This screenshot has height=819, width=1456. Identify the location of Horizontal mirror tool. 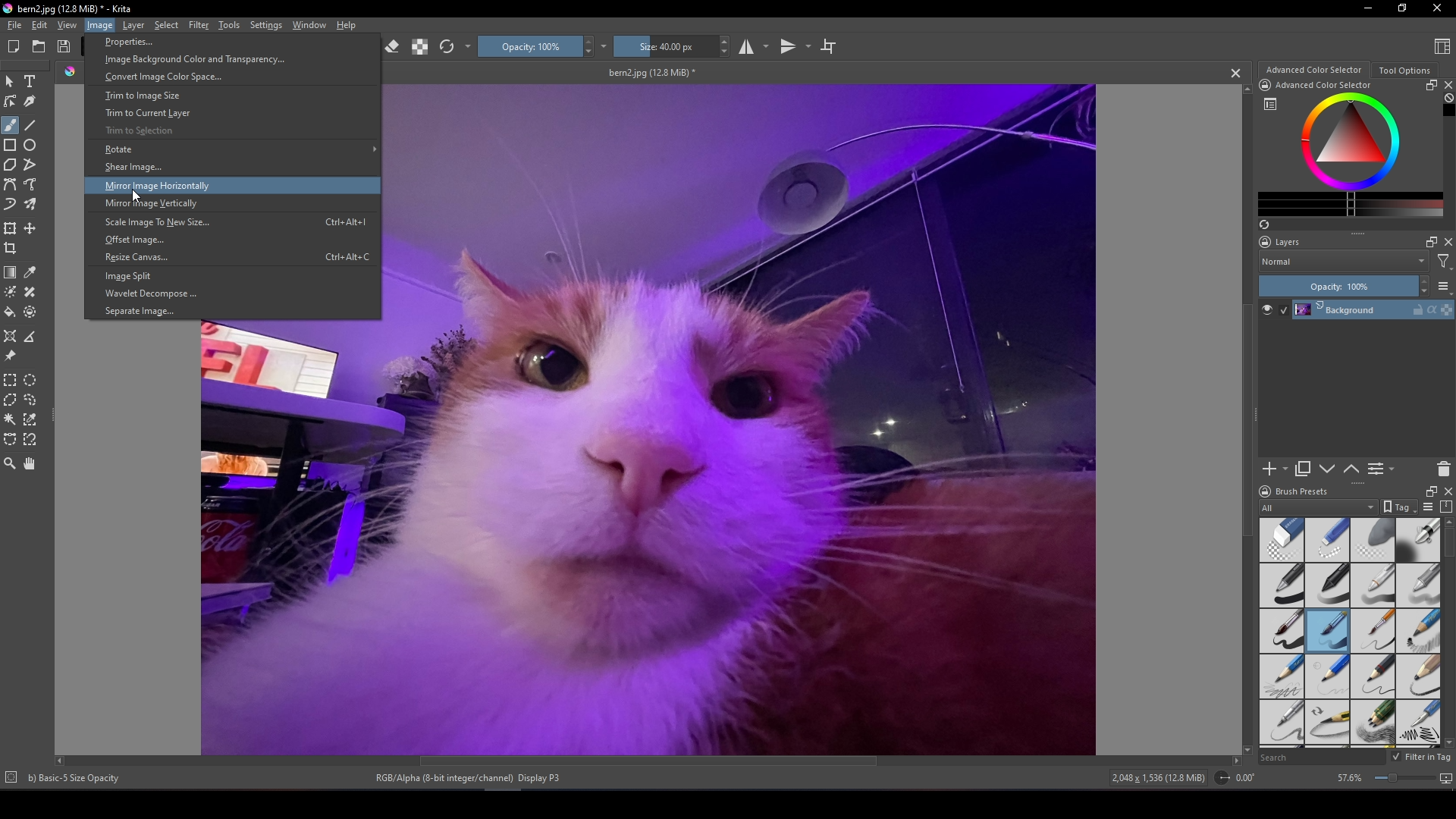
(752, 46).